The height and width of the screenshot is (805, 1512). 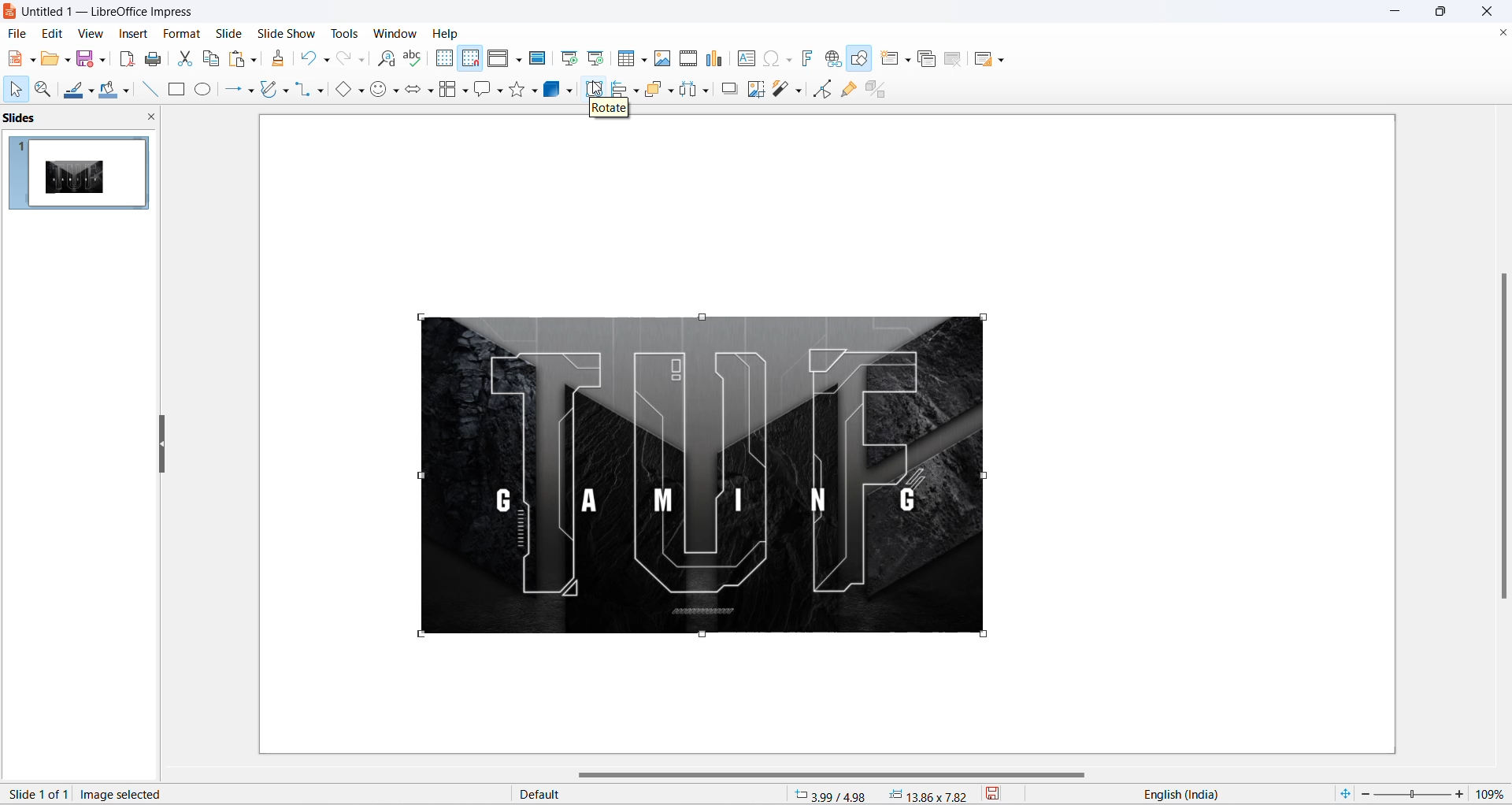 What do you see at coordinates (398, 33) in the screenshot?
I see `window` at bounding box center [398, 33].